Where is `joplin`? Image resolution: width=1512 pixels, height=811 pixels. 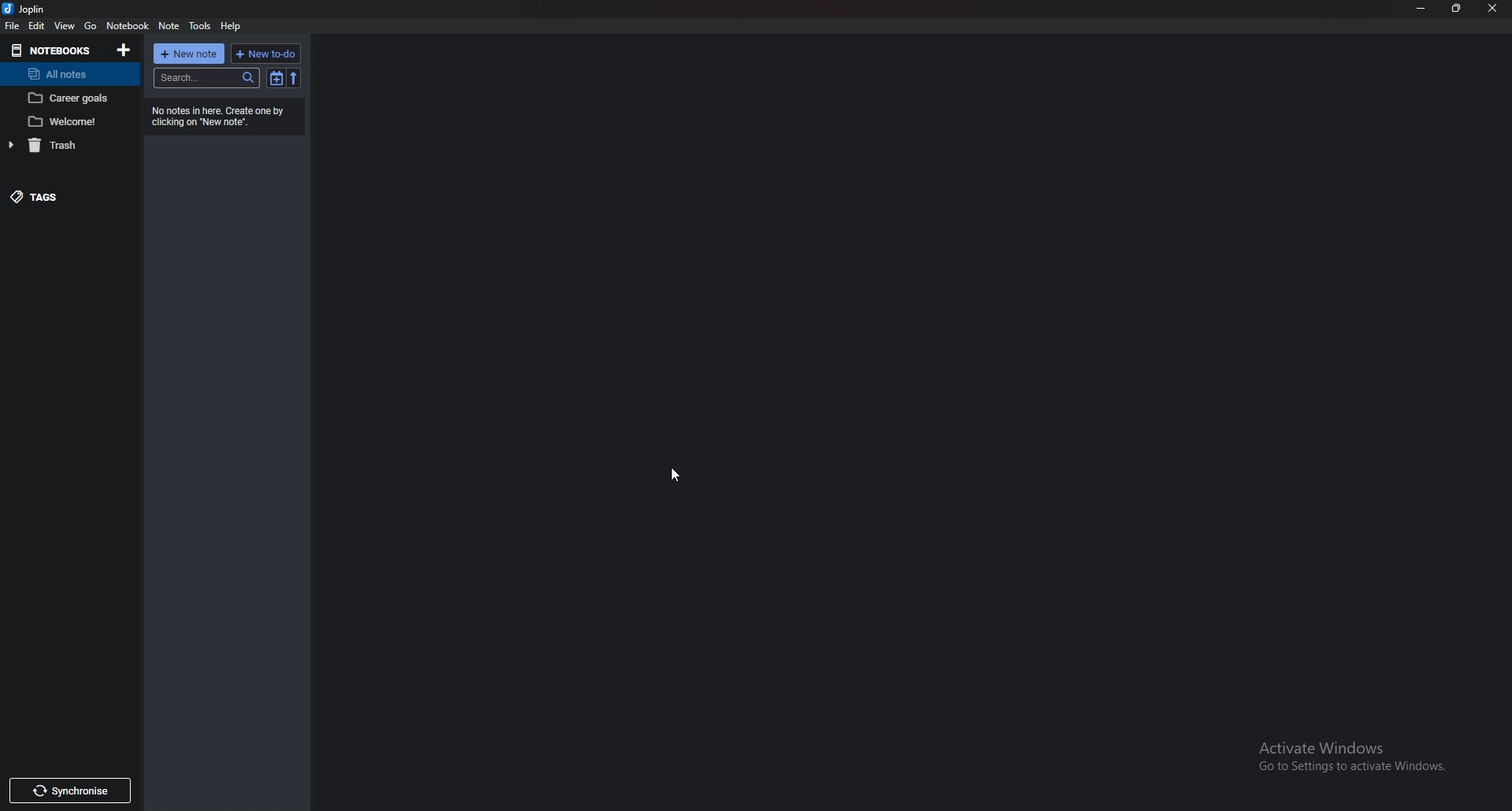
joplin is located at coordinates (27, 9).